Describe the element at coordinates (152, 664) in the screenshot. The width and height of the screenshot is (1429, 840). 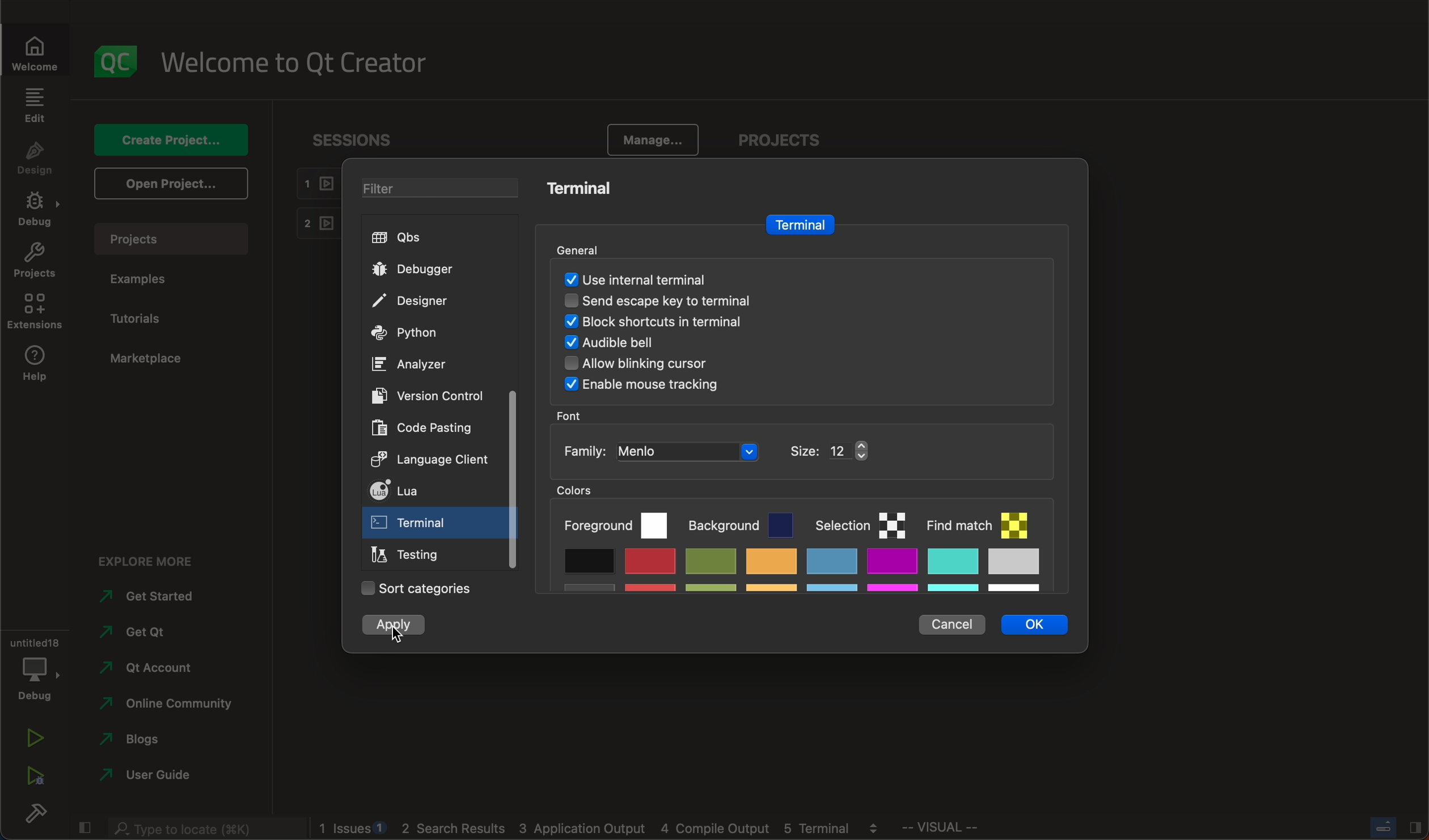
I see `account` at that location.